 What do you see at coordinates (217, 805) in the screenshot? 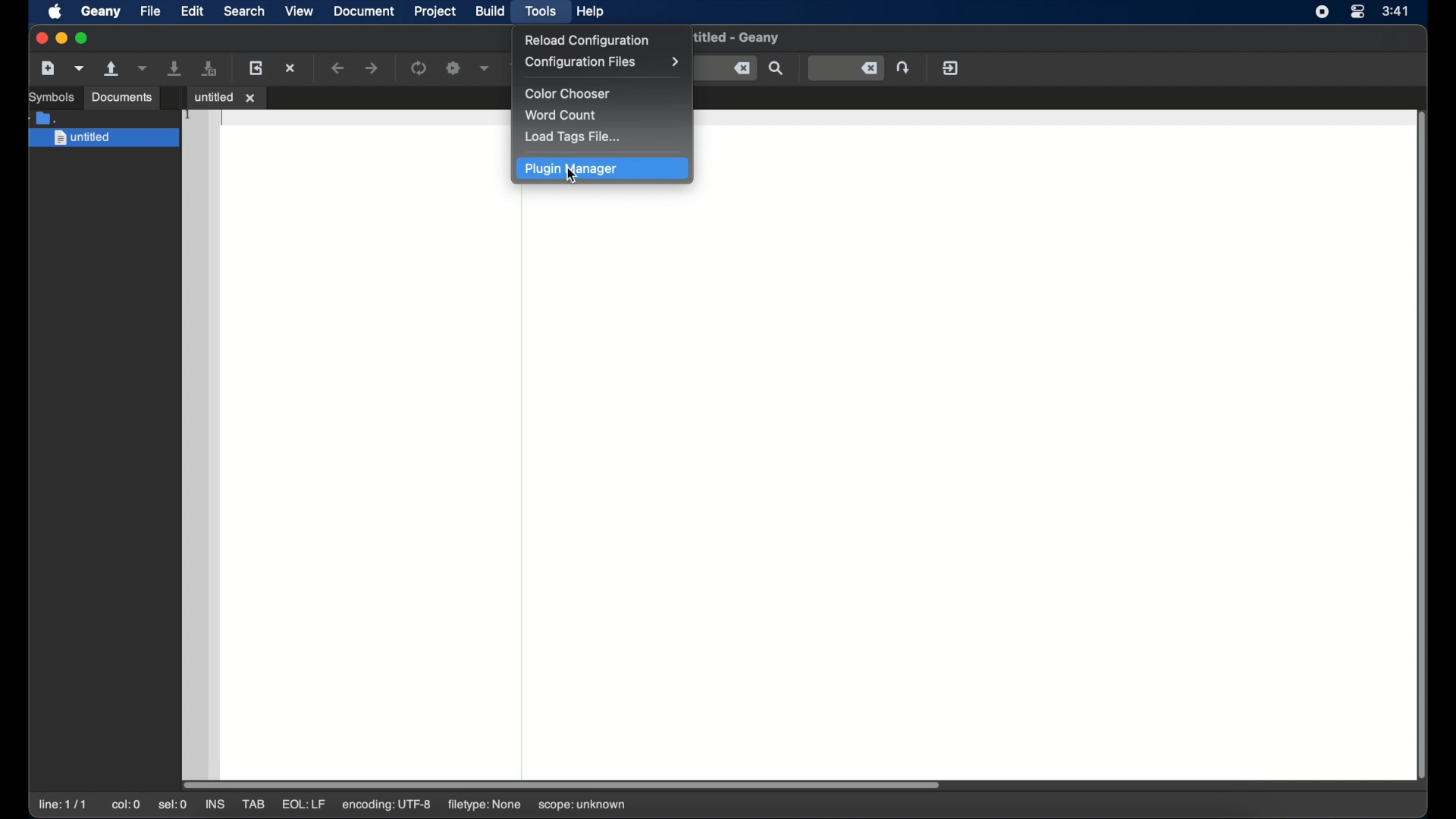
I see `ins` at bounding box center [217, 805].